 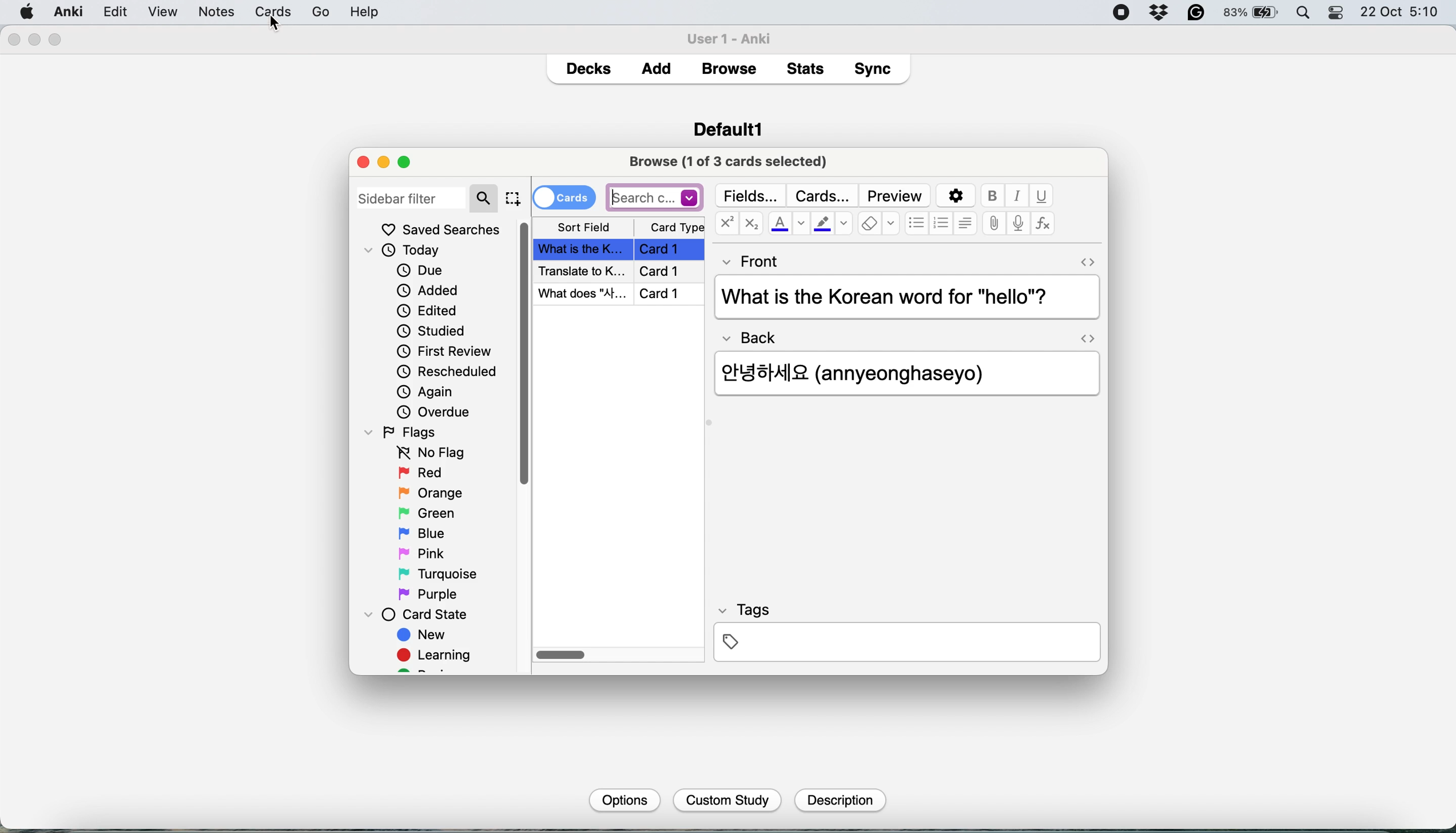 I want to click on preview, so click(x=895, y=196).